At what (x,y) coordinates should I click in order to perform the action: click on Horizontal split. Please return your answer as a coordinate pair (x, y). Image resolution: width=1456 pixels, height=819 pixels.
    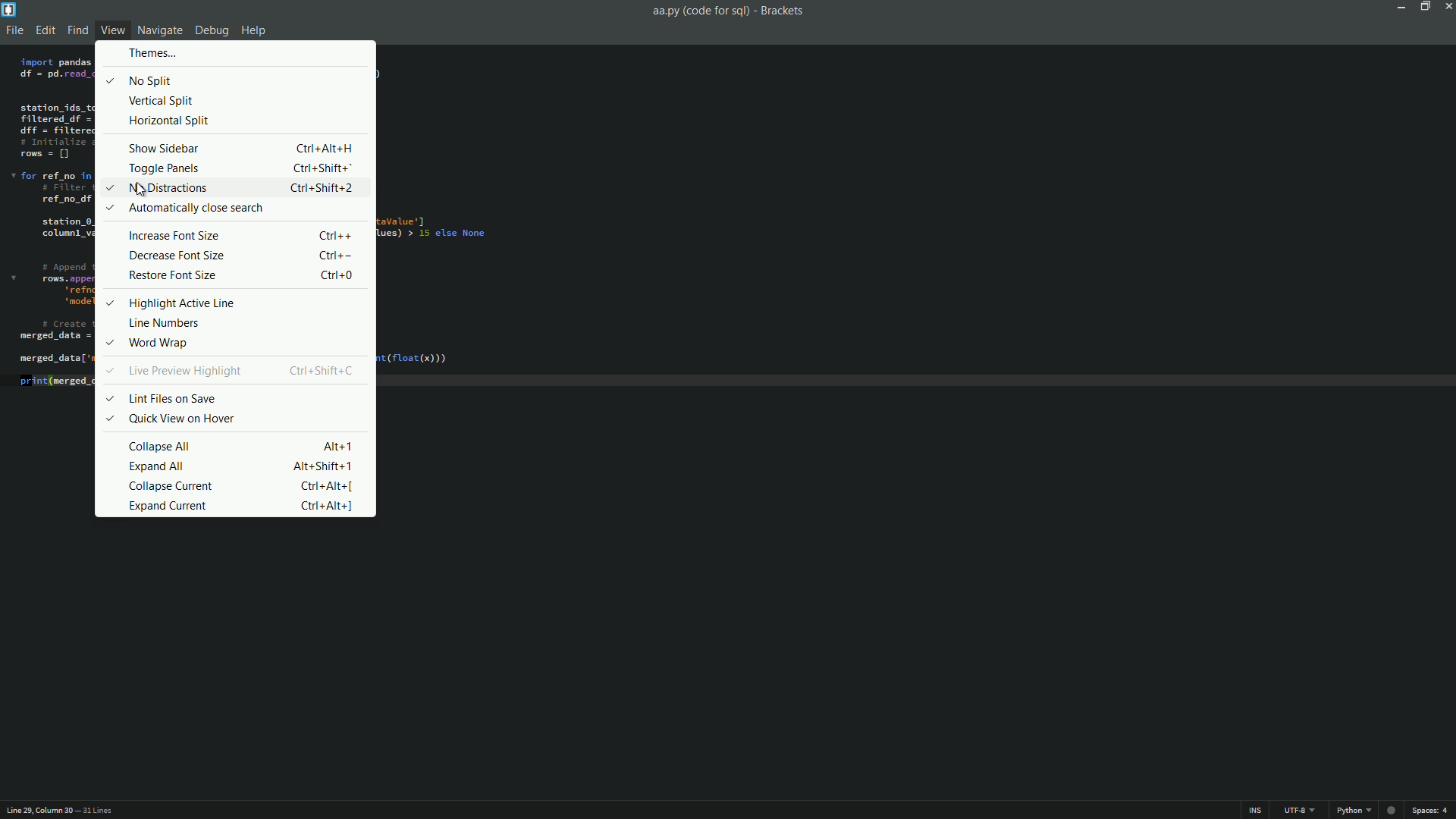
    Looking at the image, I should click on (172, 123).